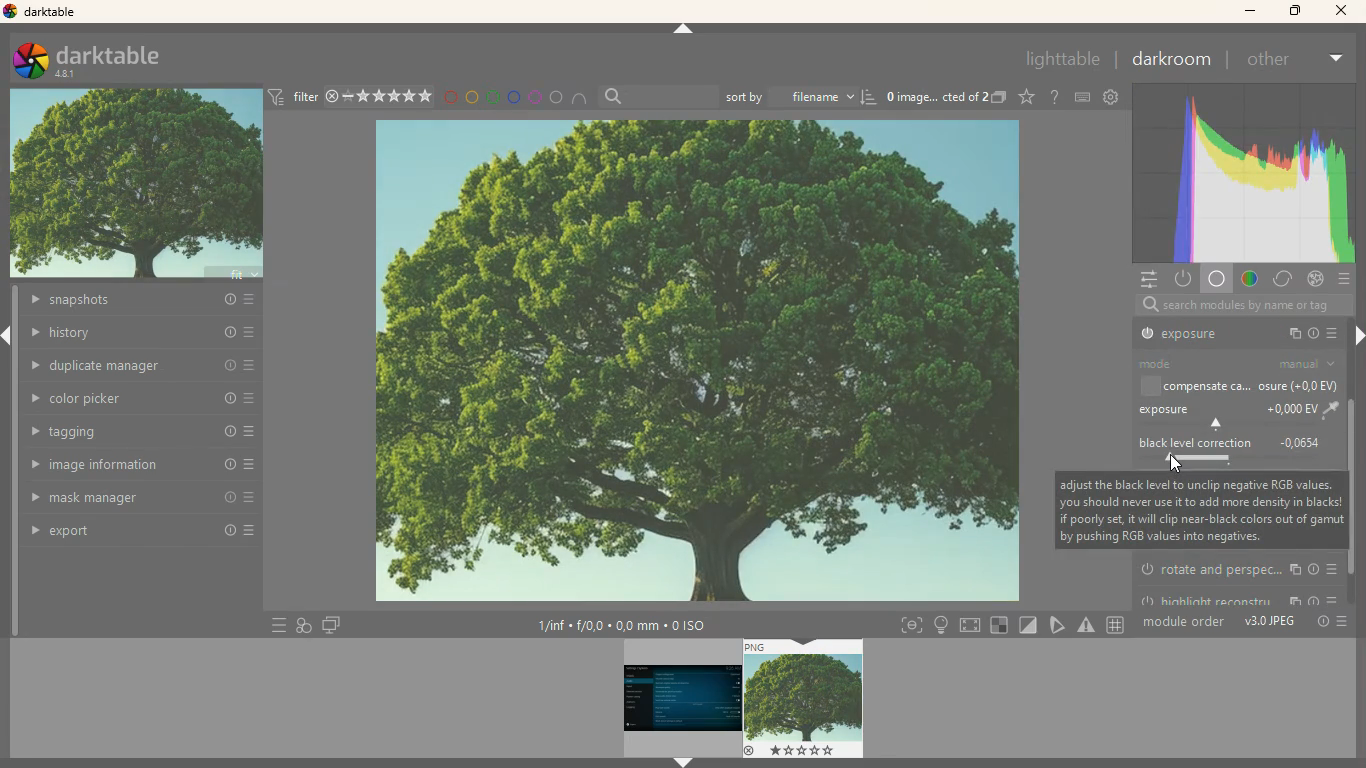  What do you see at coordinates (937, 95) in the screenshot?
I see `image description` at bounding box center [937, 95].